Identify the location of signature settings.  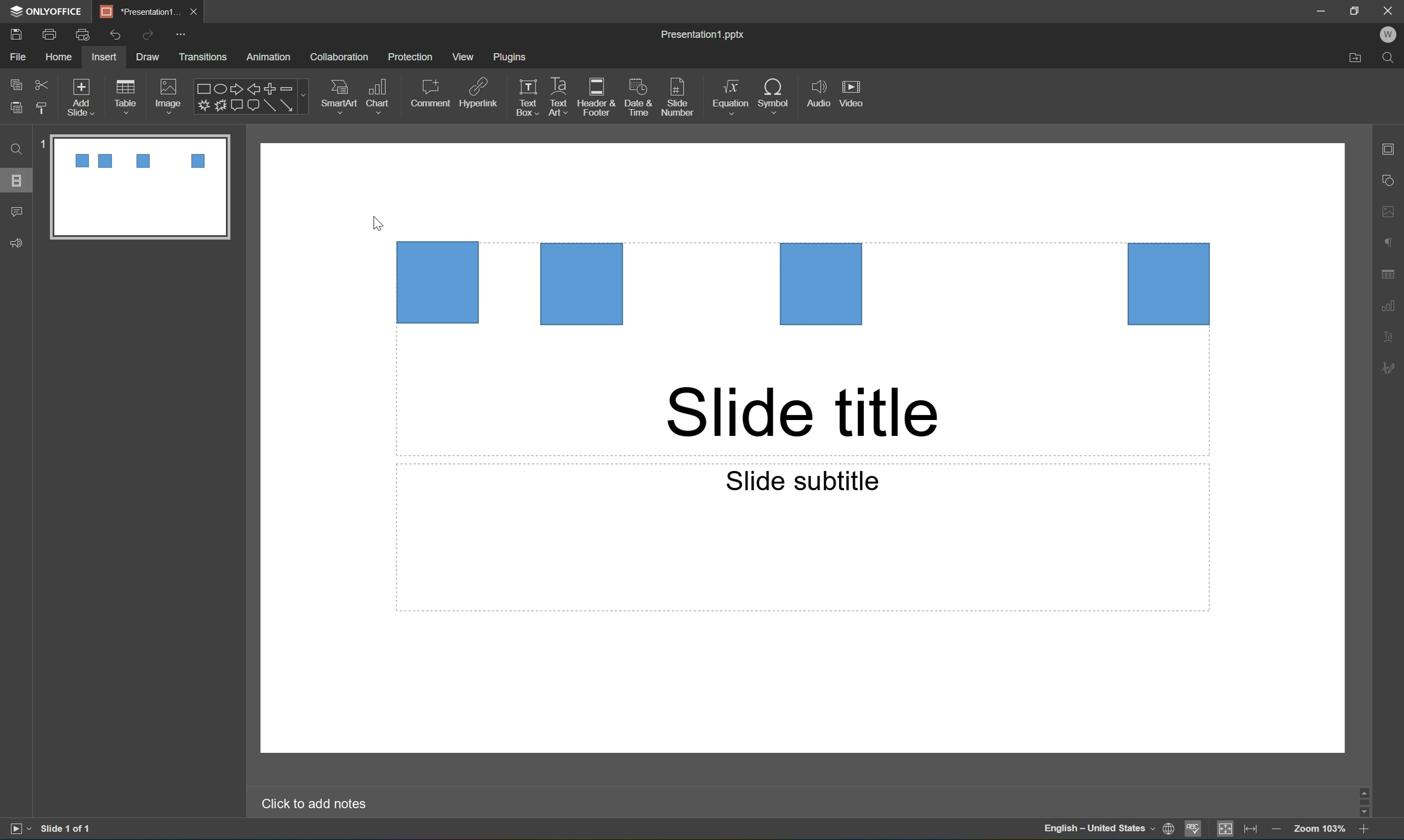
(1392, 368).